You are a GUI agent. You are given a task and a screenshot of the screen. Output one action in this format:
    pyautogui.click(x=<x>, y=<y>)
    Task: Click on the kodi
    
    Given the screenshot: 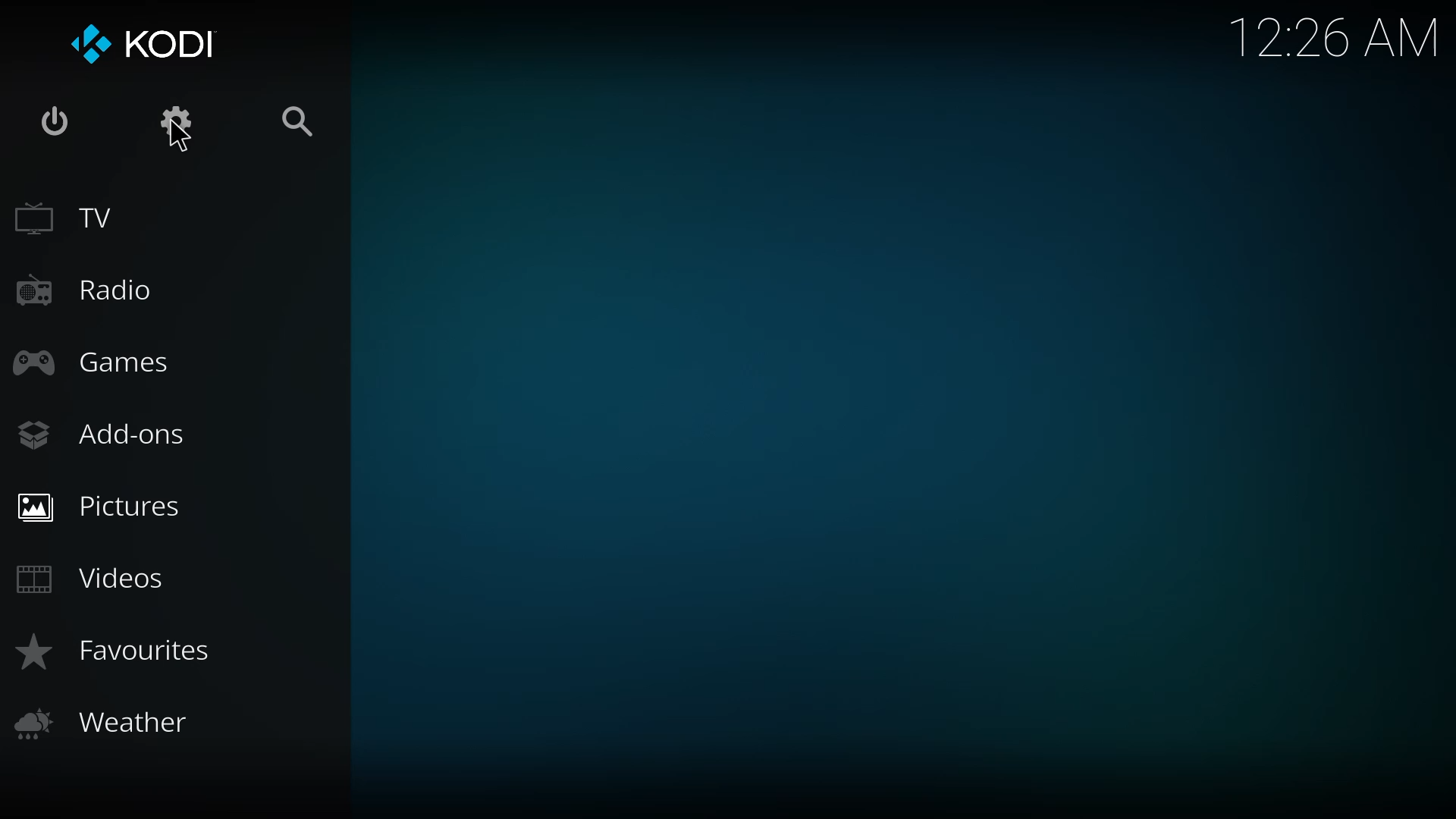 What is the action you would take?
    pyautogui.click(x=148, y=42)
    